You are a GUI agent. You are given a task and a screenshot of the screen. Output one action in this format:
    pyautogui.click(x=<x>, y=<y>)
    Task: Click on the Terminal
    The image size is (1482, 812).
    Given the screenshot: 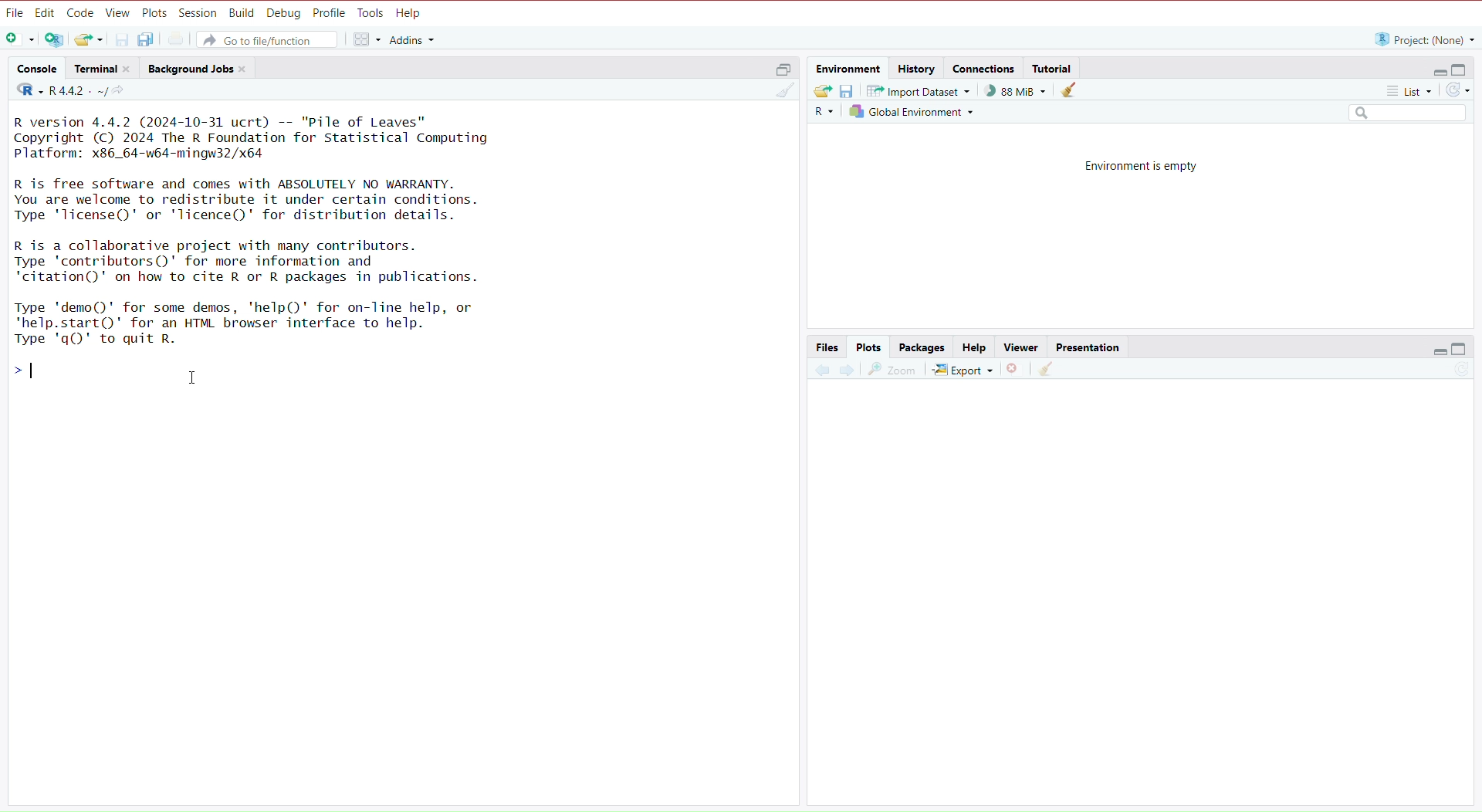 What is the action you would take?
    pyautogui.click(x=100, y=68)
    